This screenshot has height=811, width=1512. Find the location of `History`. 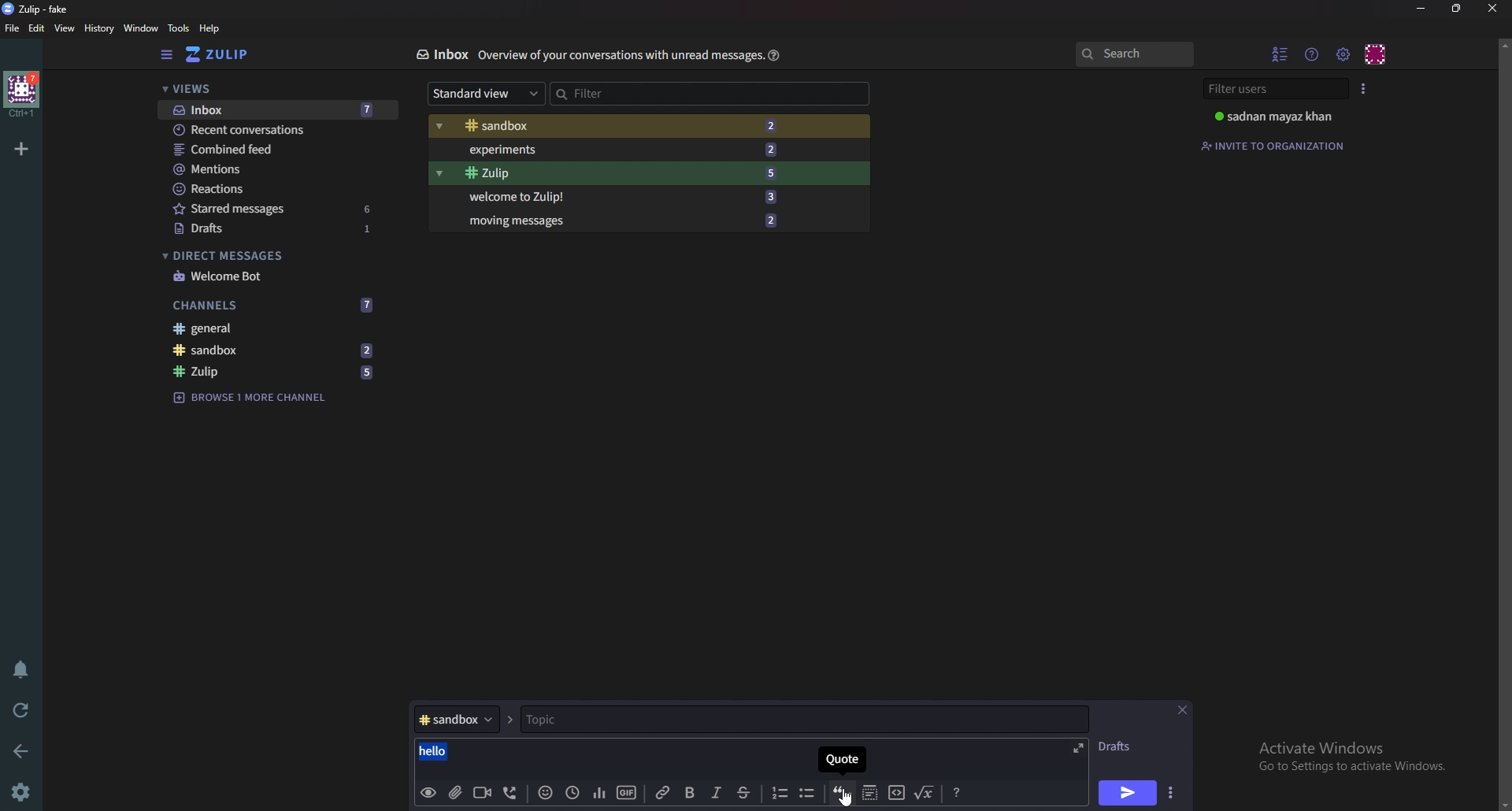

History is located at coordinates (98, 28).